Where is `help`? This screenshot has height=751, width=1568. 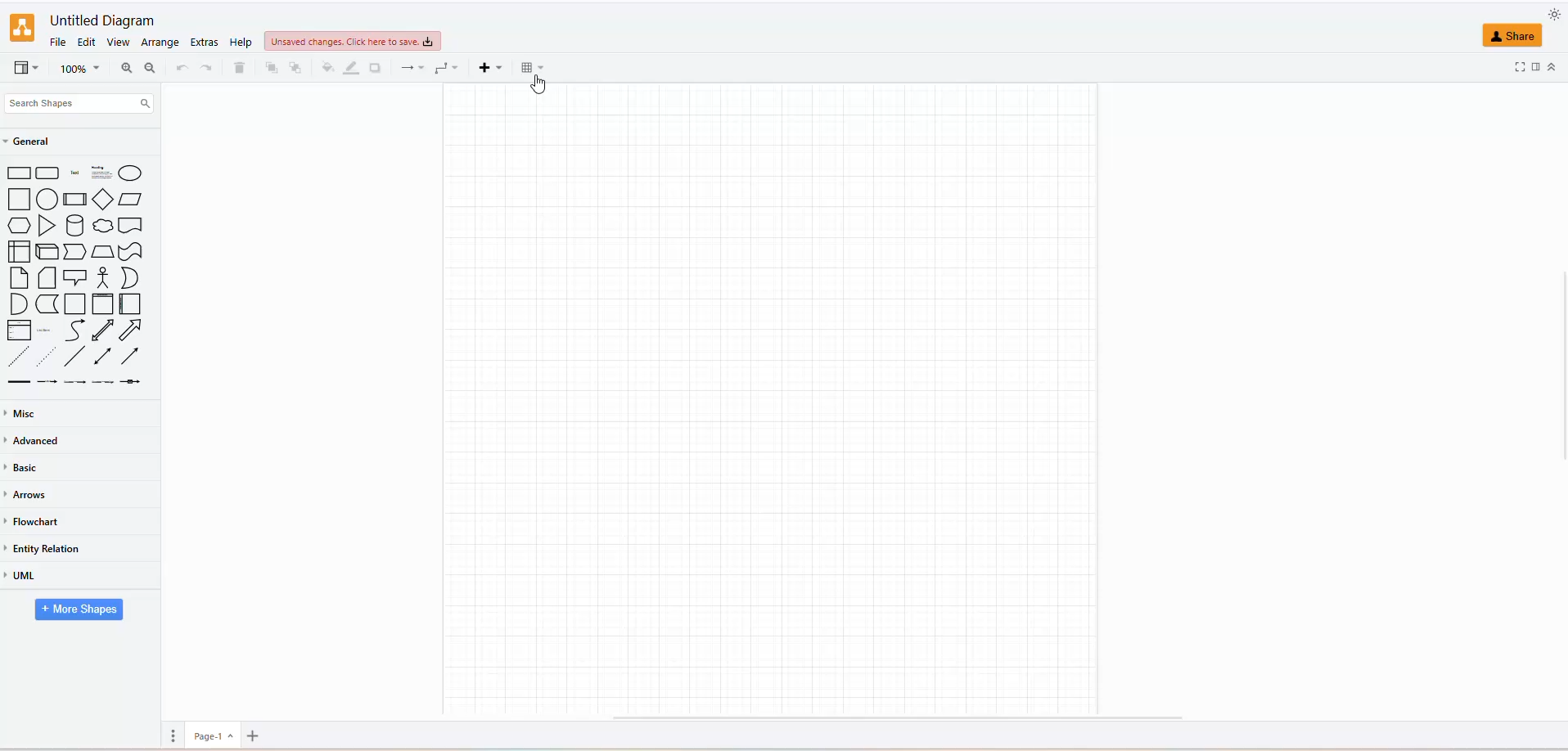
help is located at coordinates (238, 41).